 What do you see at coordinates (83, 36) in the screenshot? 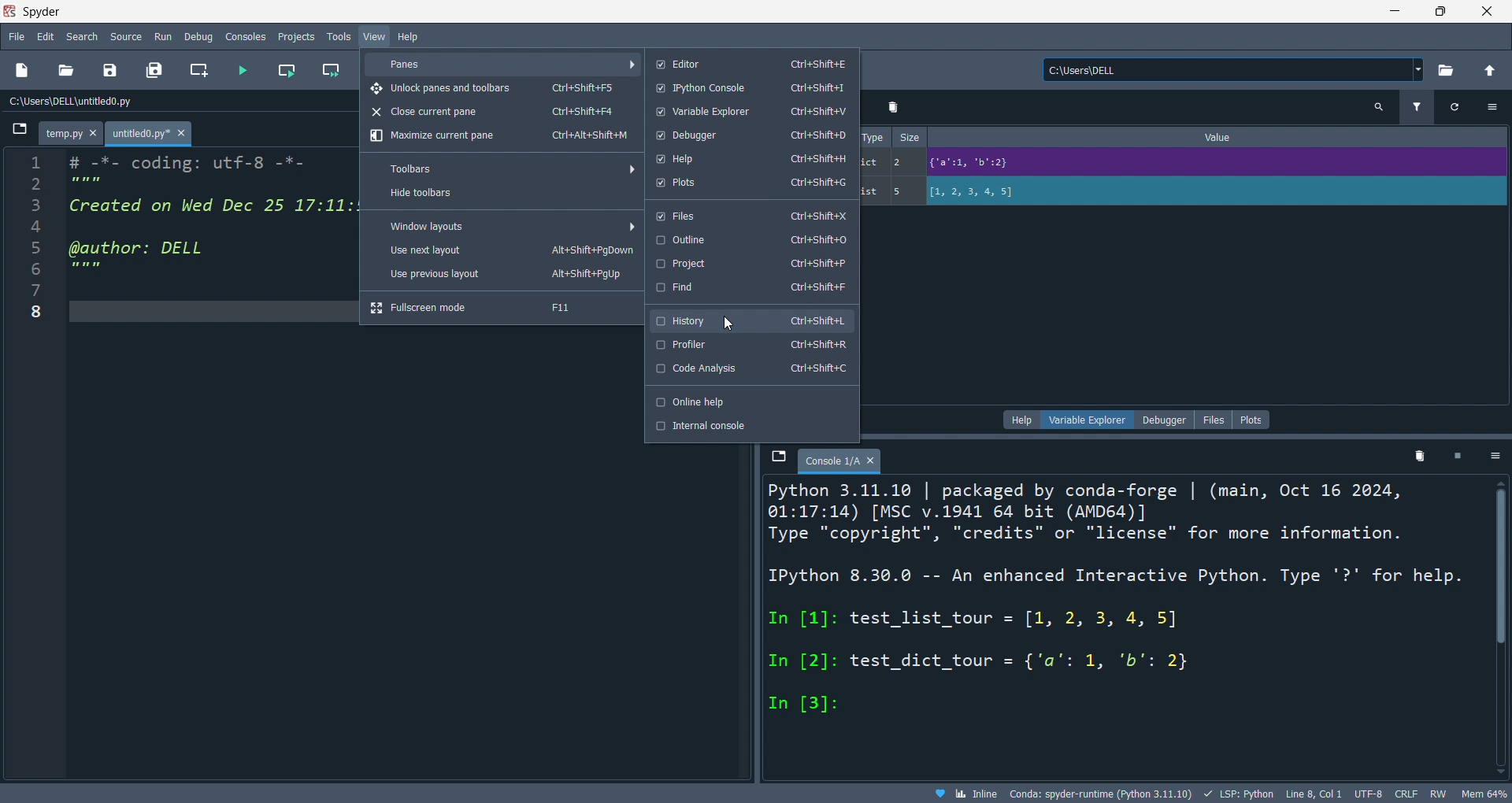
I see `search` at bounding box center [83, 36].